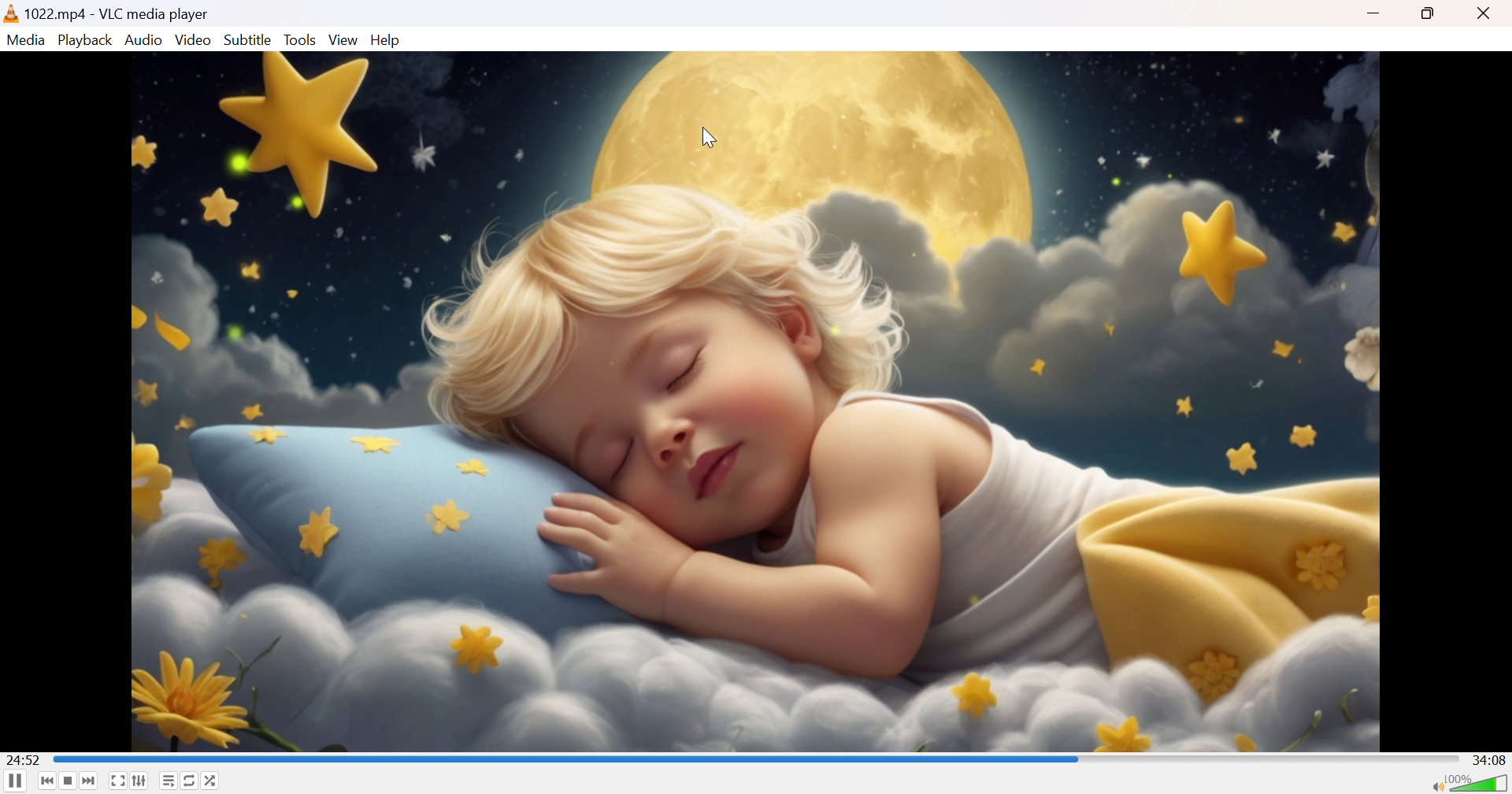  Describe the element at coordinates (1486, 14) in the screenshot. I see `Close` at that location.